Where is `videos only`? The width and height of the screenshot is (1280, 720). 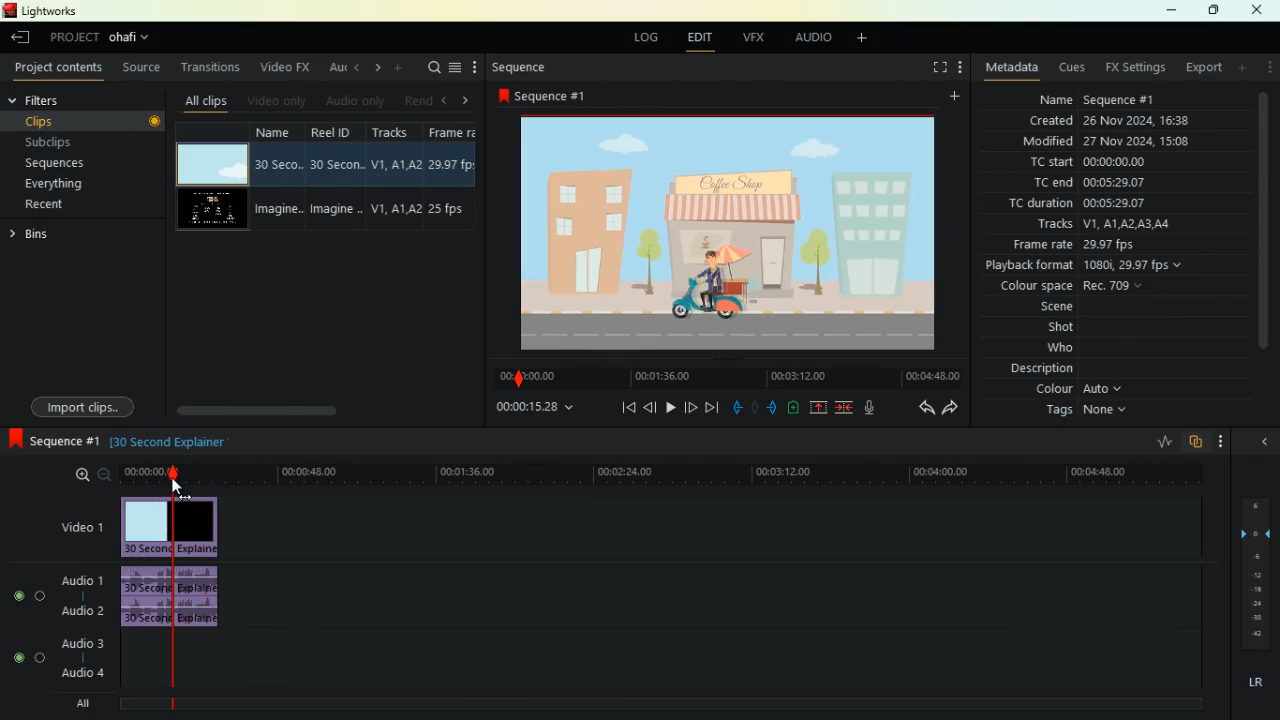 videos only is located at coordinates (279, 102).